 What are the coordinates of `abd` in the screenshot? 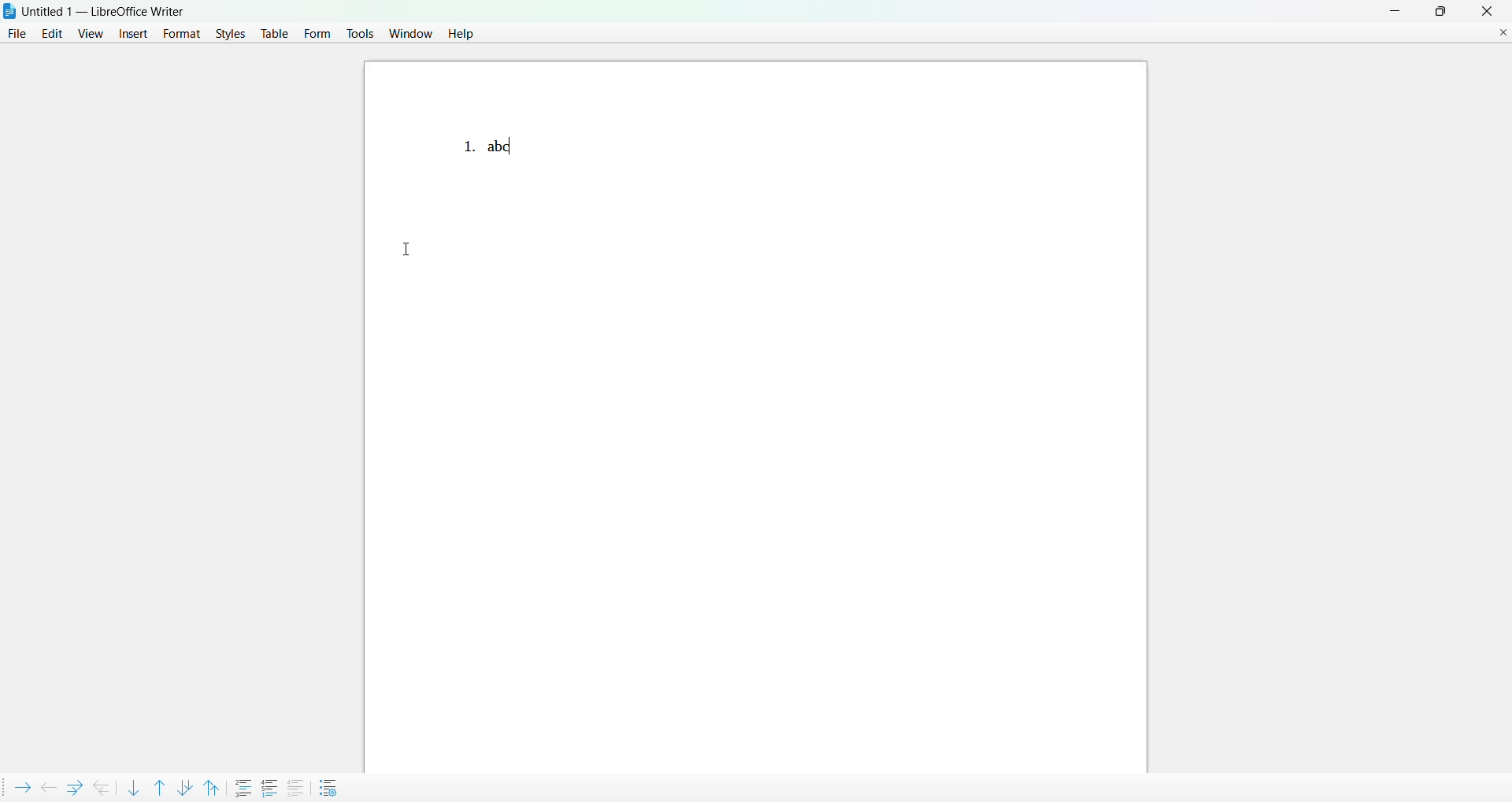 It's located at (505, 145).